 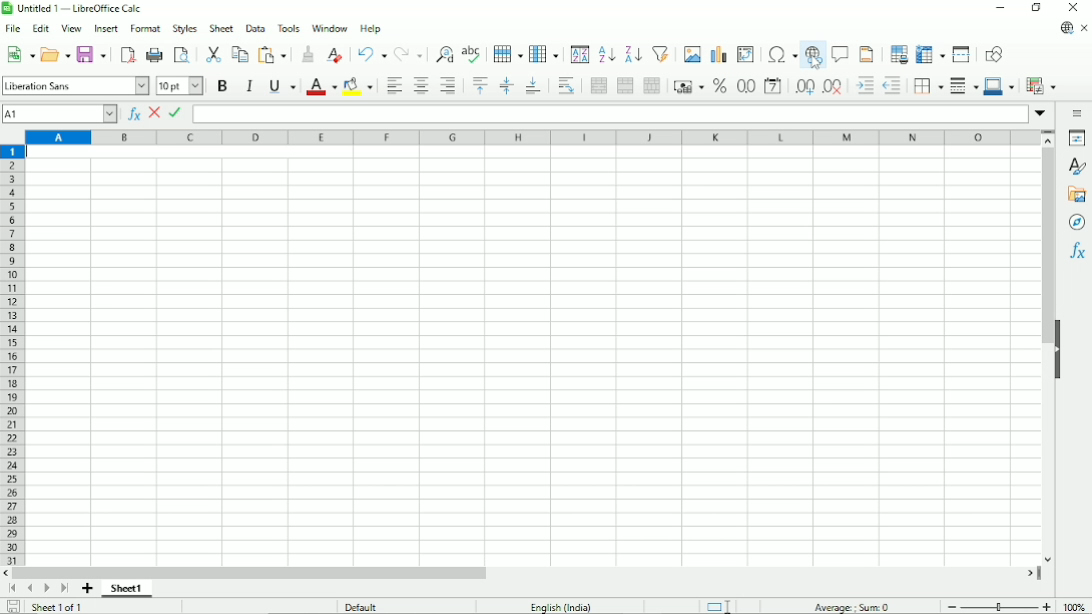 I want to click on Headers and footers, so click(x=866, y=54).